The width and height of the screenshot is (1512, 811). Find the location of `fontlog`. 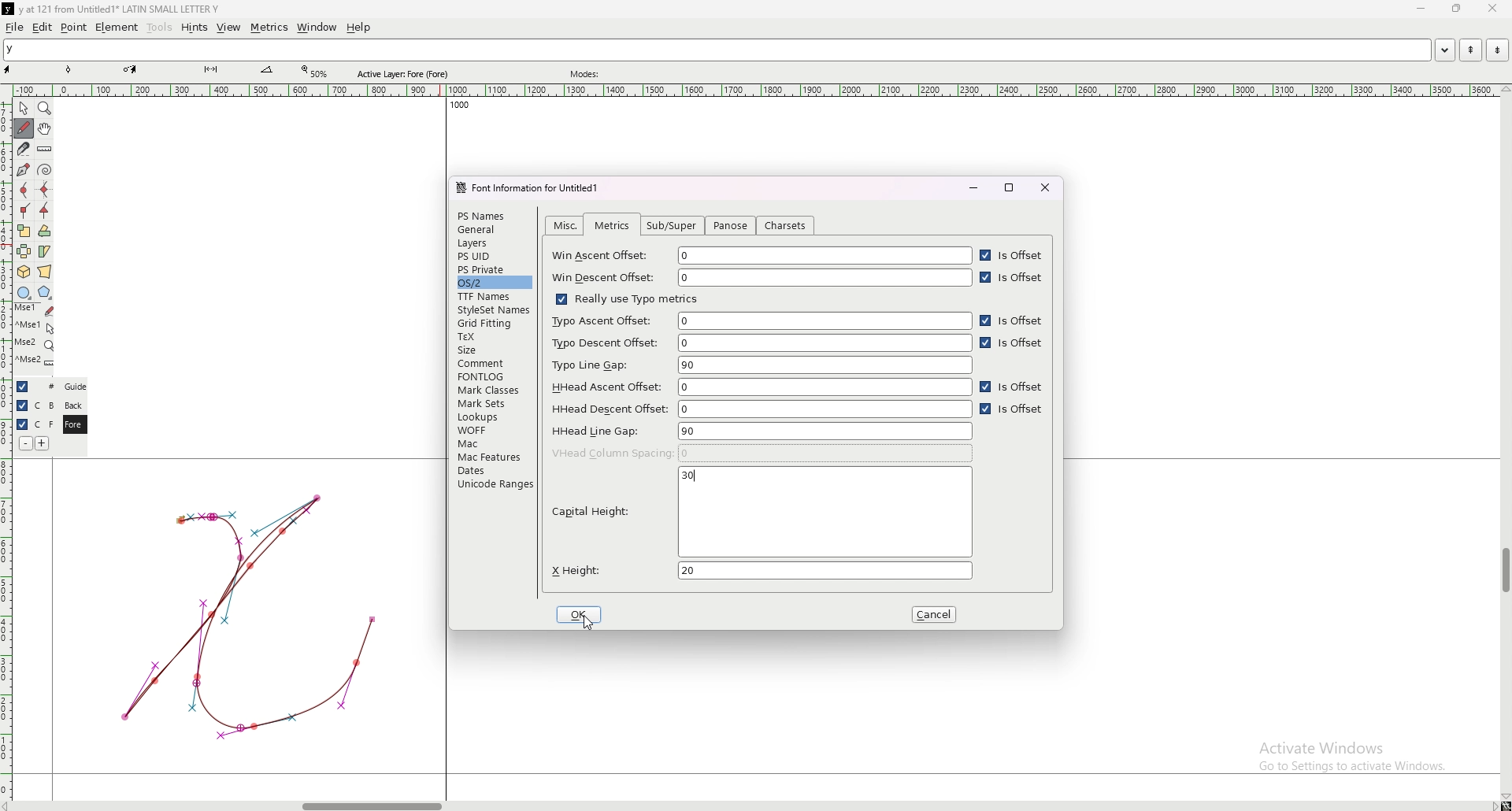

fontlog is located at coordinates (495, 376).